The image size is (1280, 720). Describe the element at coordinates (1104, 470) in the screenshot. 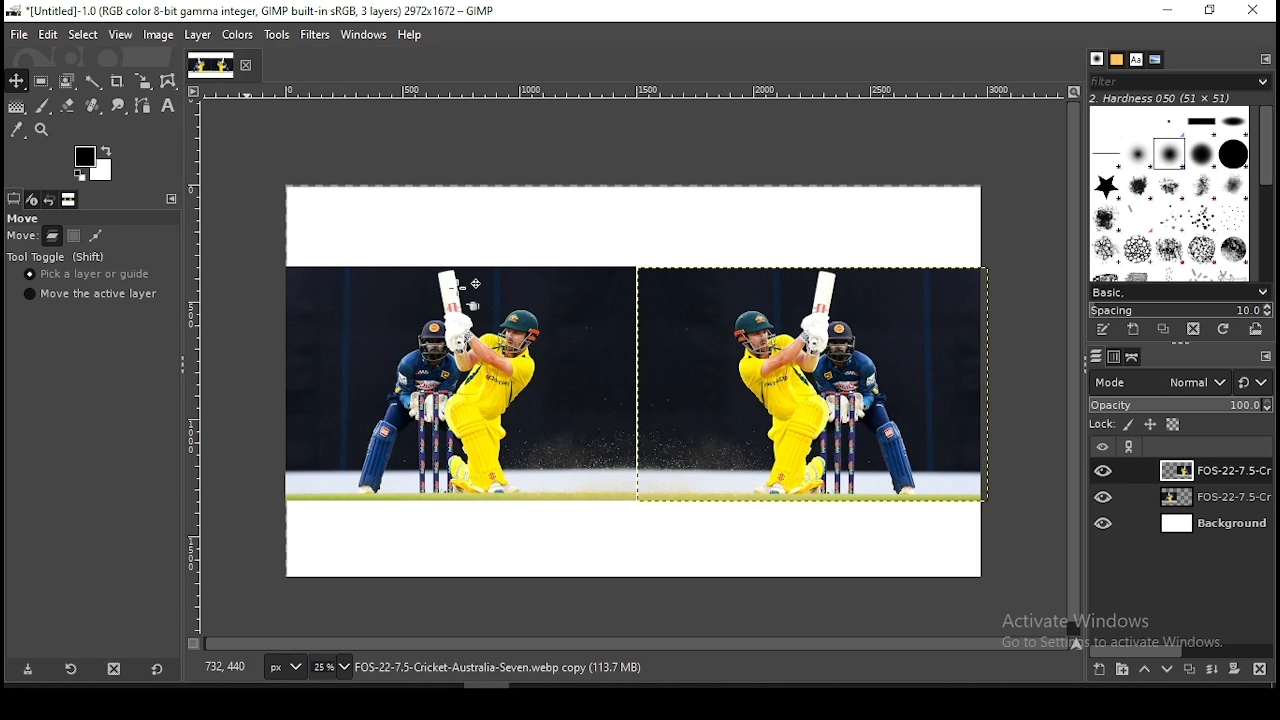

I see `layer visibility on/off` at that location.